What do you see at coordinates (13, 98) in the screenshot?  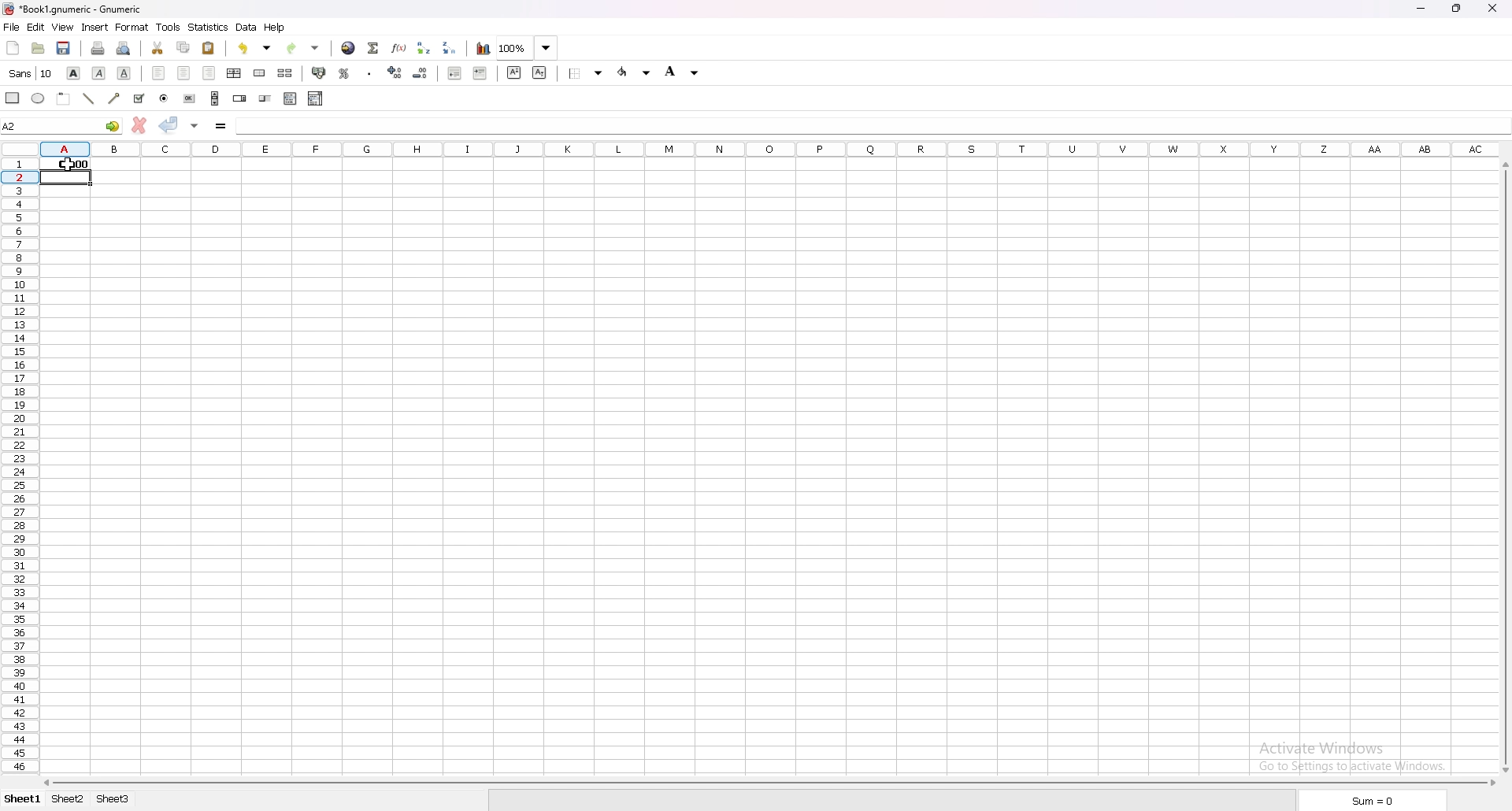 I see `rectangle` at bounding box center [13, 98].